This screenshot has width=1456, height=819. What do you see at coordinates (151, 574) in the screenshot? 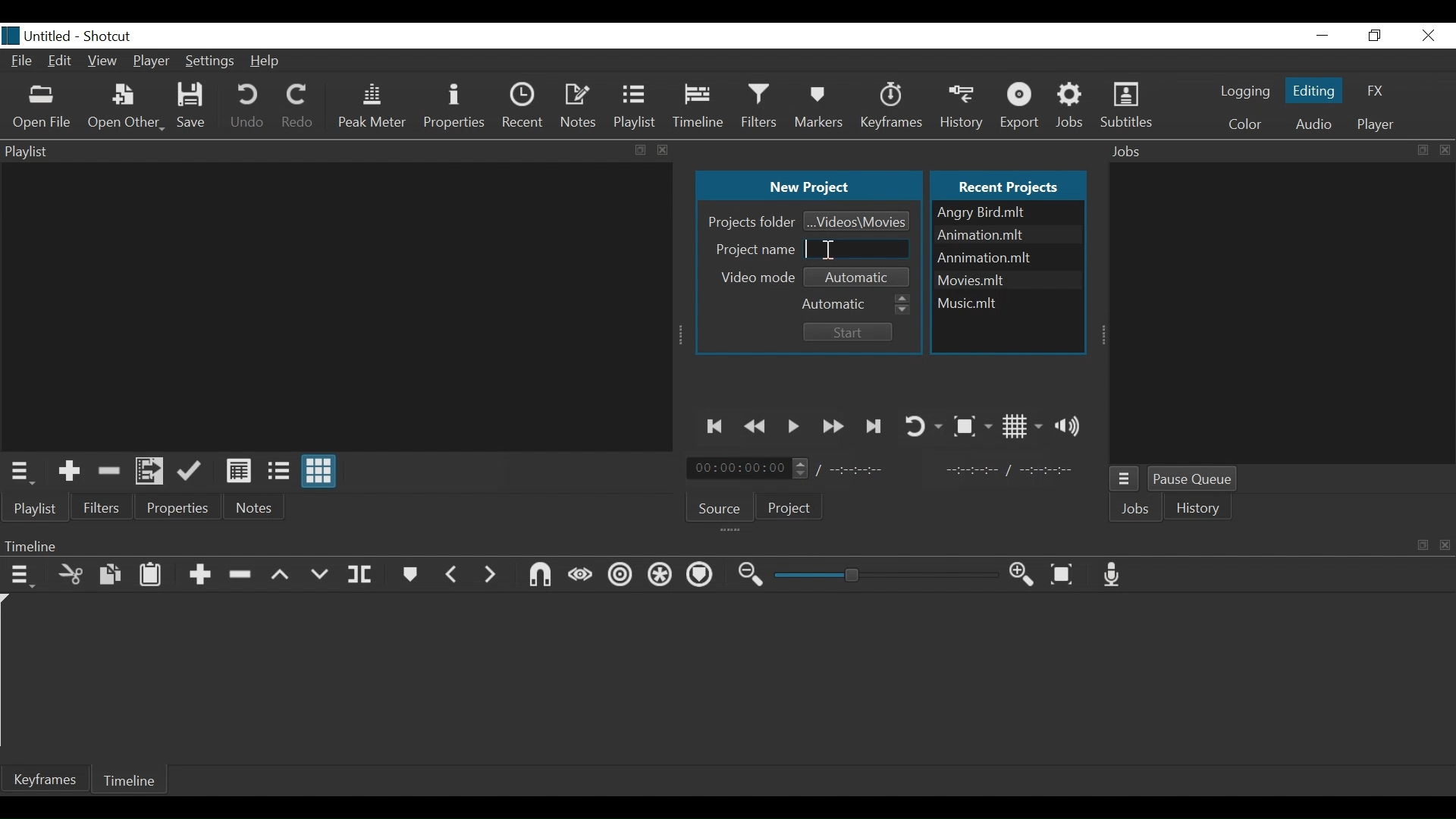
I see `Paste` at bounding box center [151, 574].